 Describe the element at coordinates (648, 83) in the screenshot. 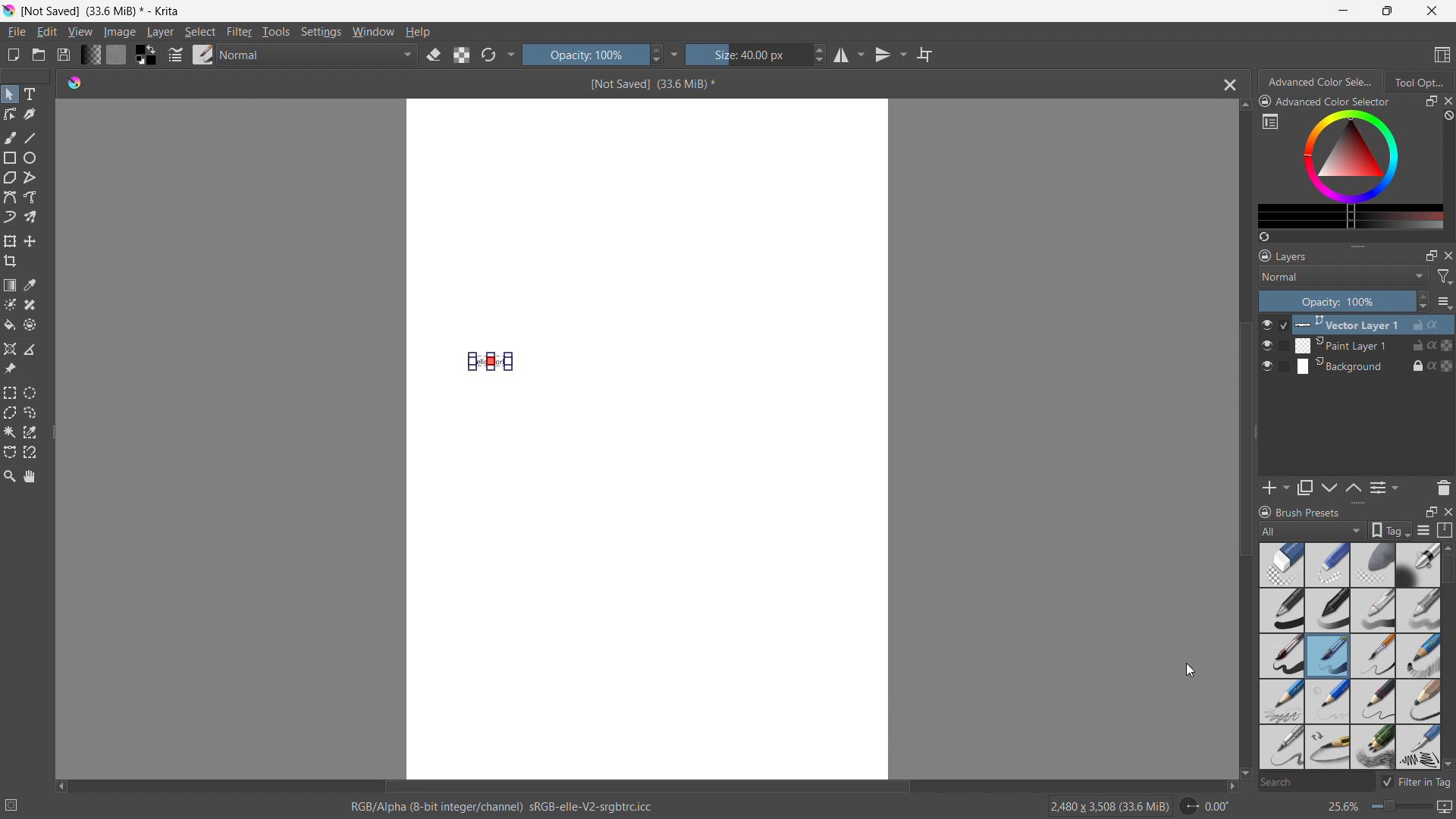

I see `Not saved(33.5 Mib` at that location.